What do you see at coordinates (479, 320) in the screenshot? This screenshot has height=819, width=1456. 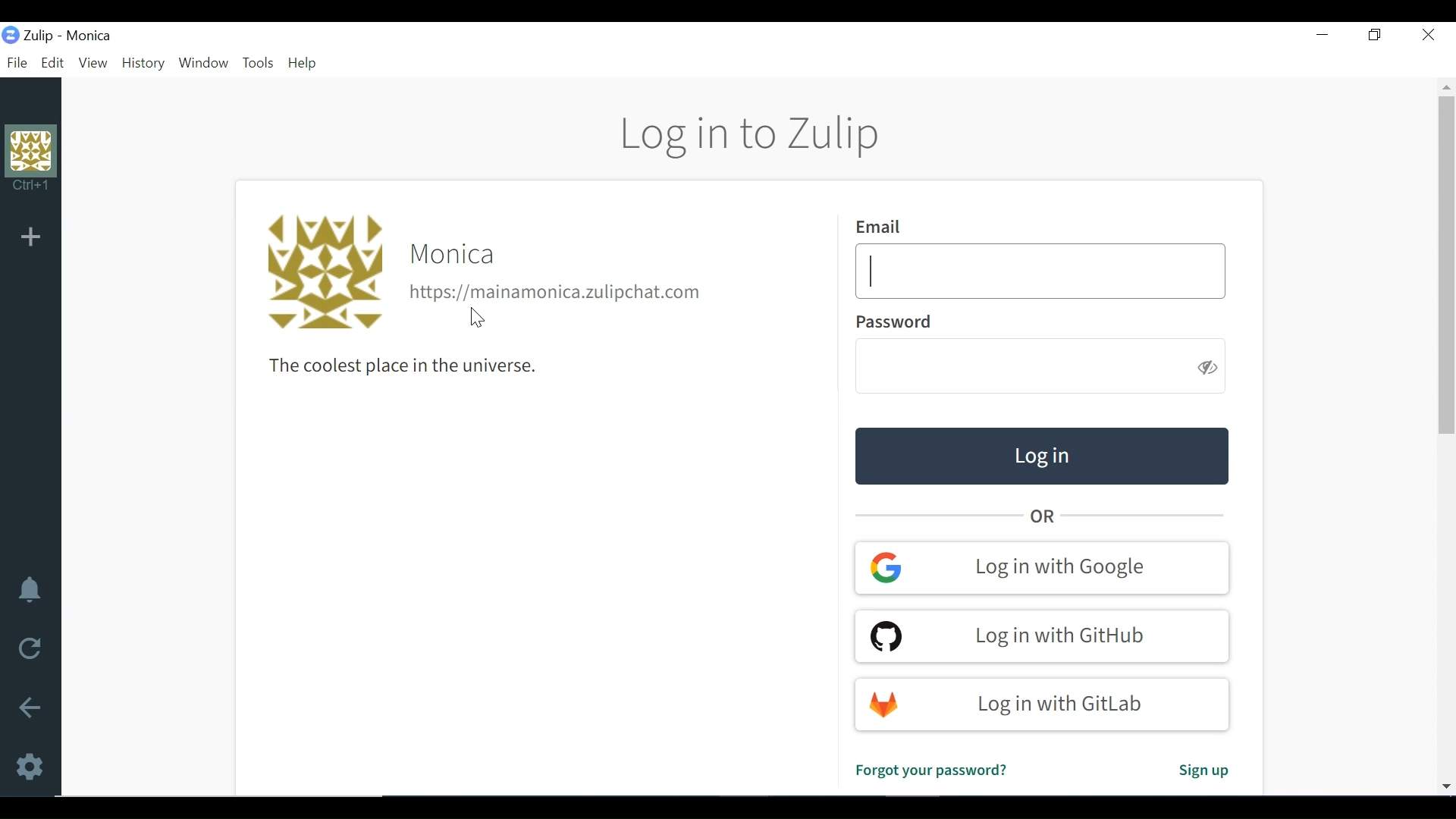 I see `` at bounding box center [479, 320].